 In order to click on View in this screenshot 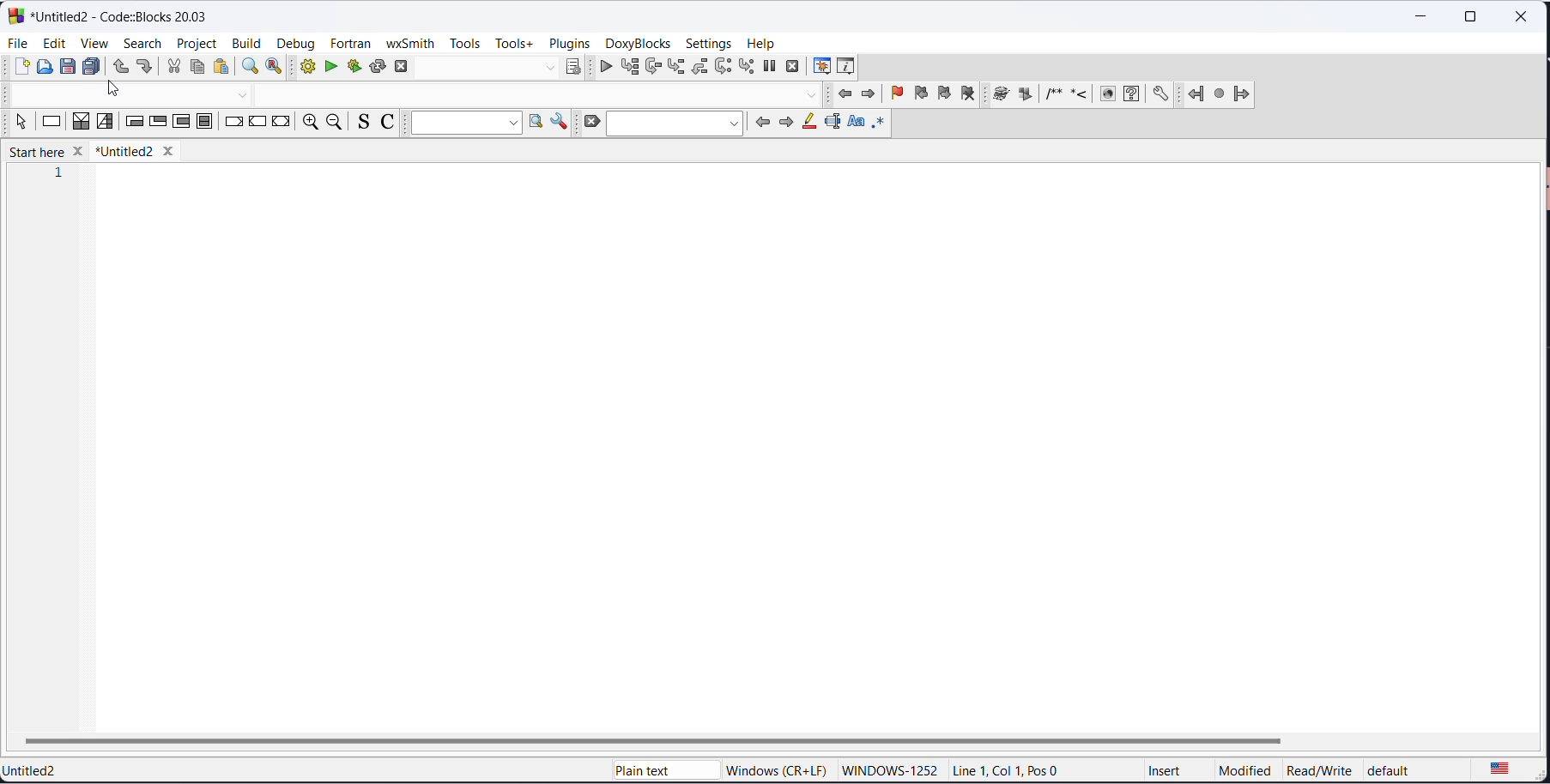, I will do `click(94, 43)`.